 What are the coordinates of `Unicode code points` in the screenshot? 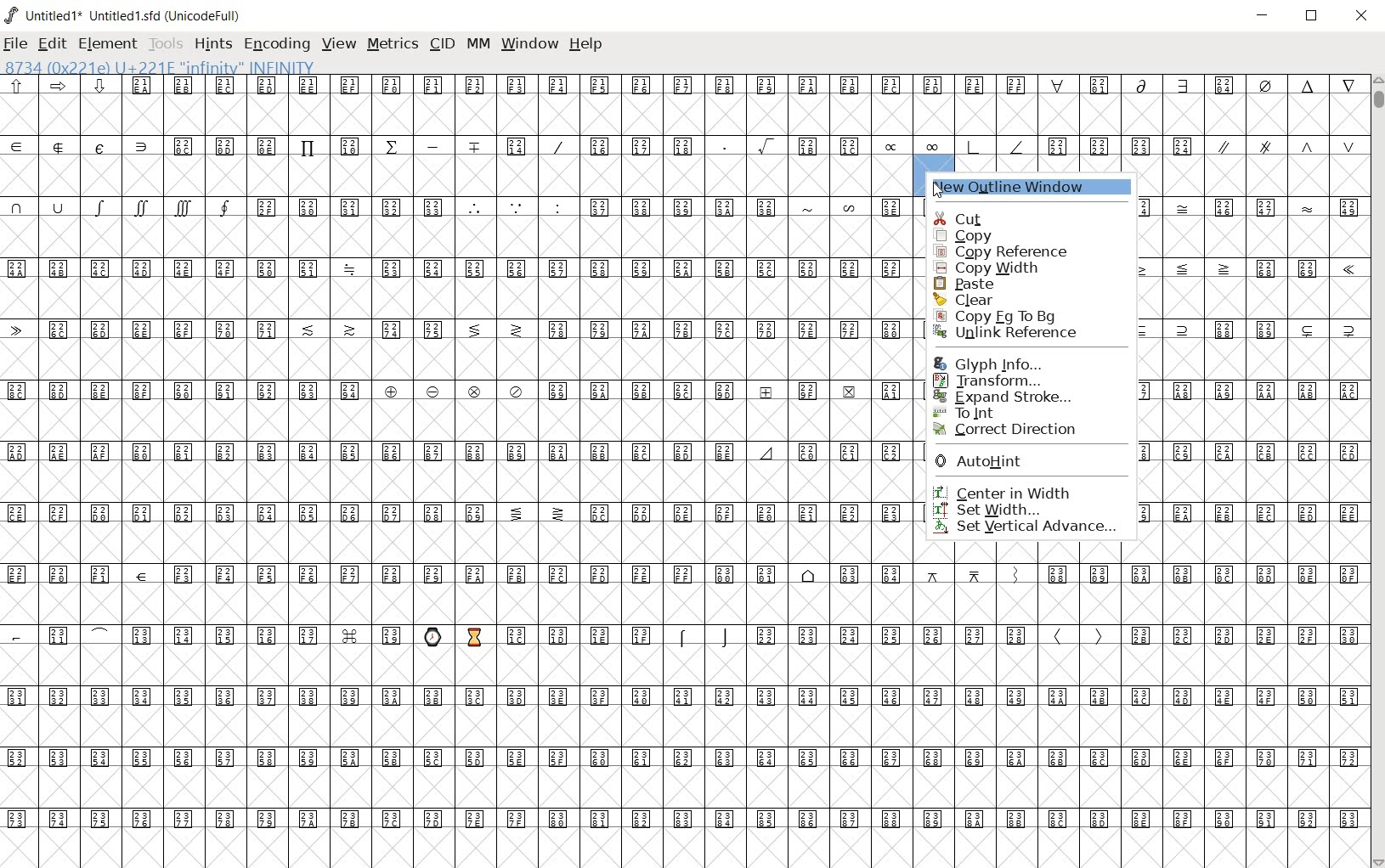 It's located at (461, 330).